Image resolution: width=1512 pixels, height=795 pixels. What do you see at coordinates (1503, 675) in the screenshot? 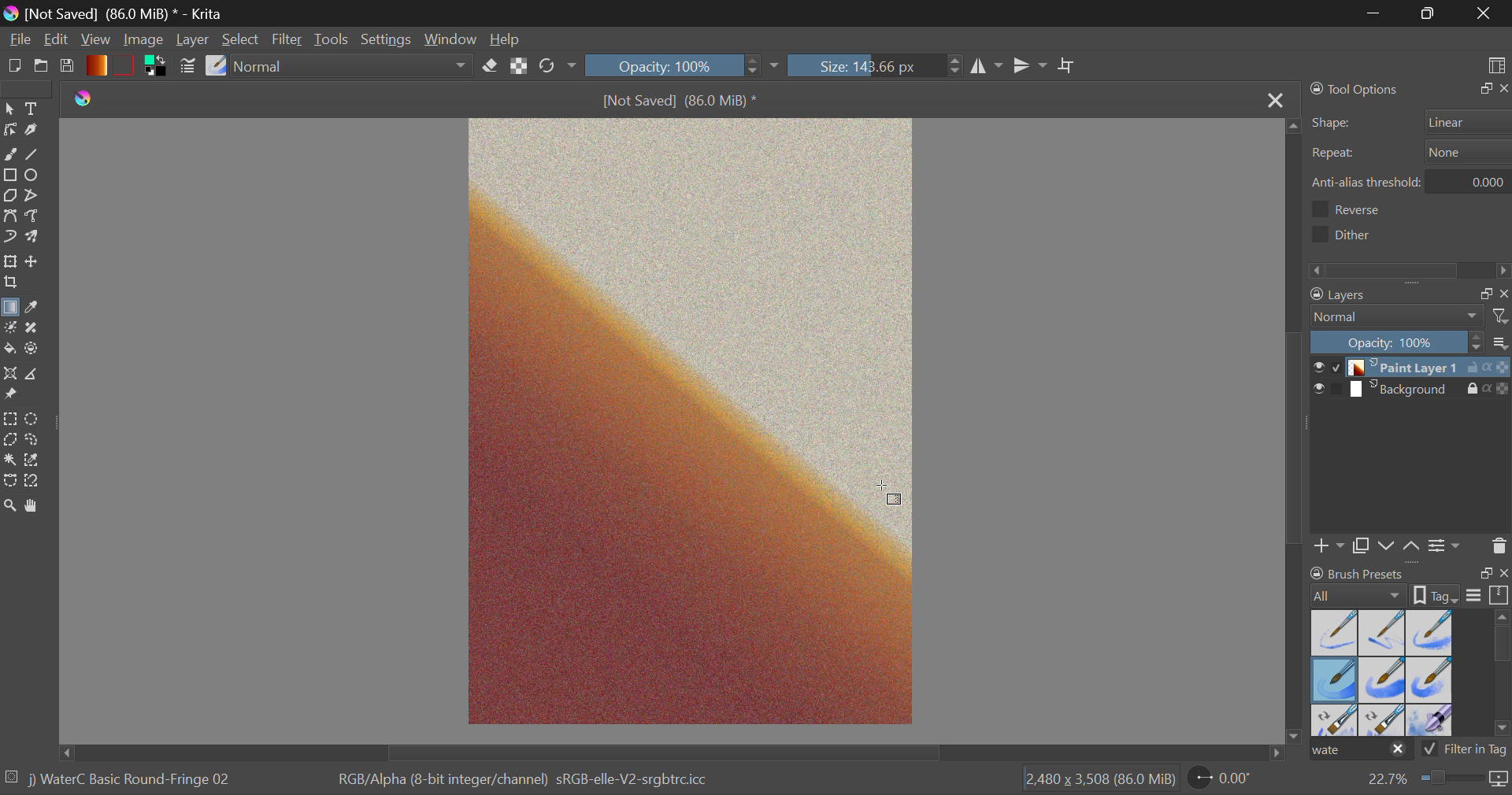
I see `horizontal scroll bar` at bounding box center [1503, 675].